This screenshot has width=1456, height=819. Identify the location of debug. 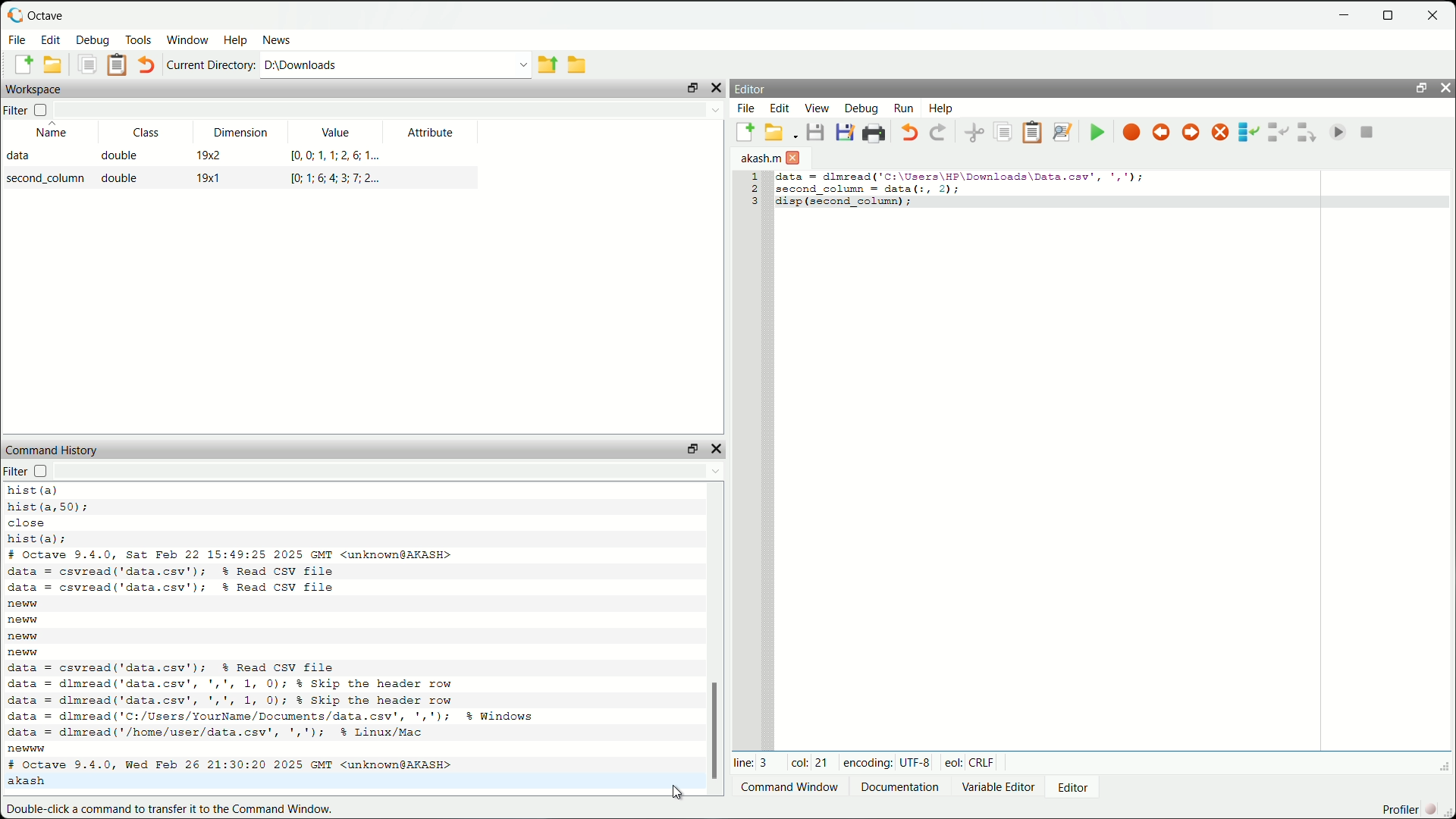
(858, 108).